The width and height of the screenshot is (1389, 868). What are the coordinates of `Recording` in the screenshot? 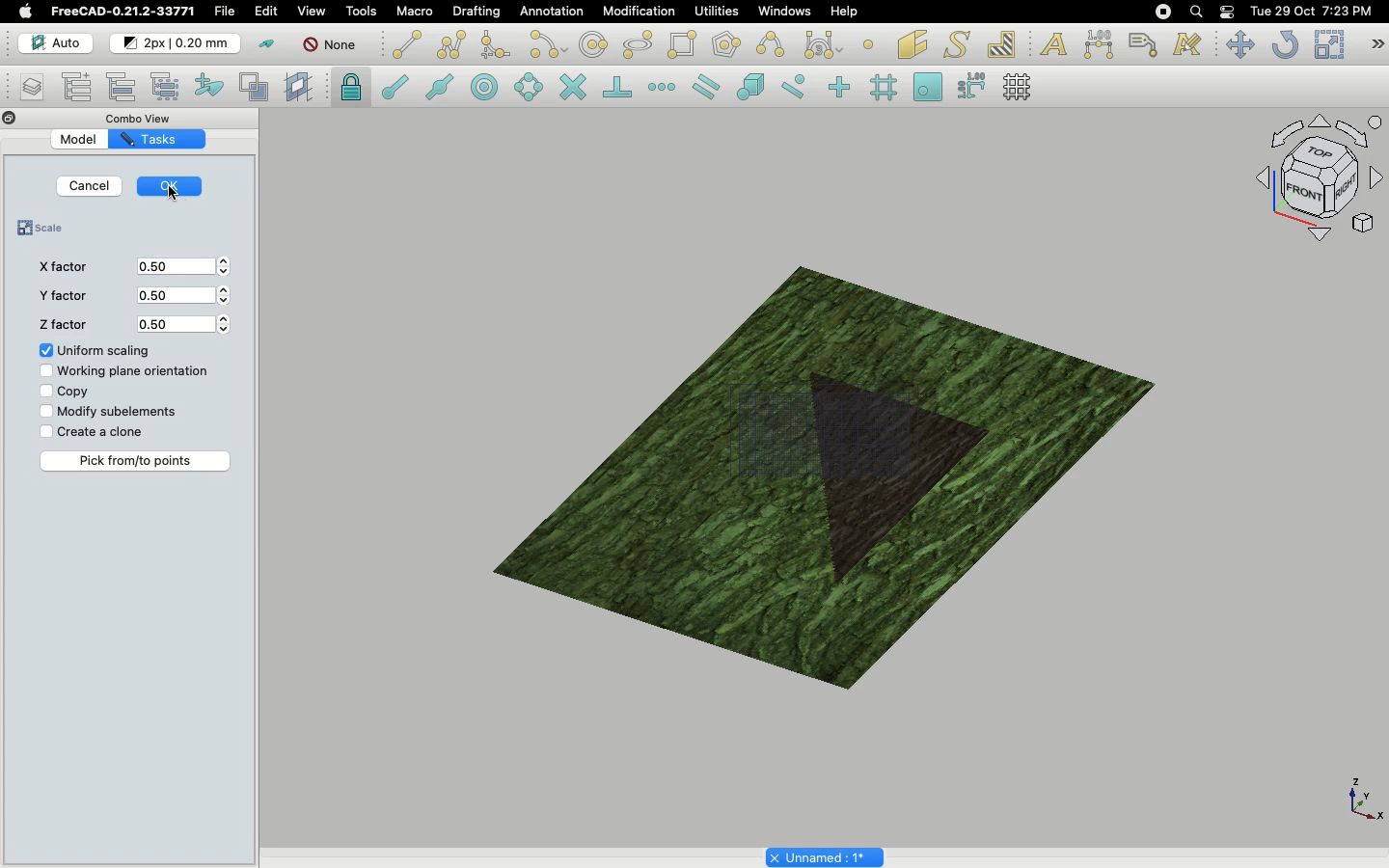 It's located at (1162, 11).